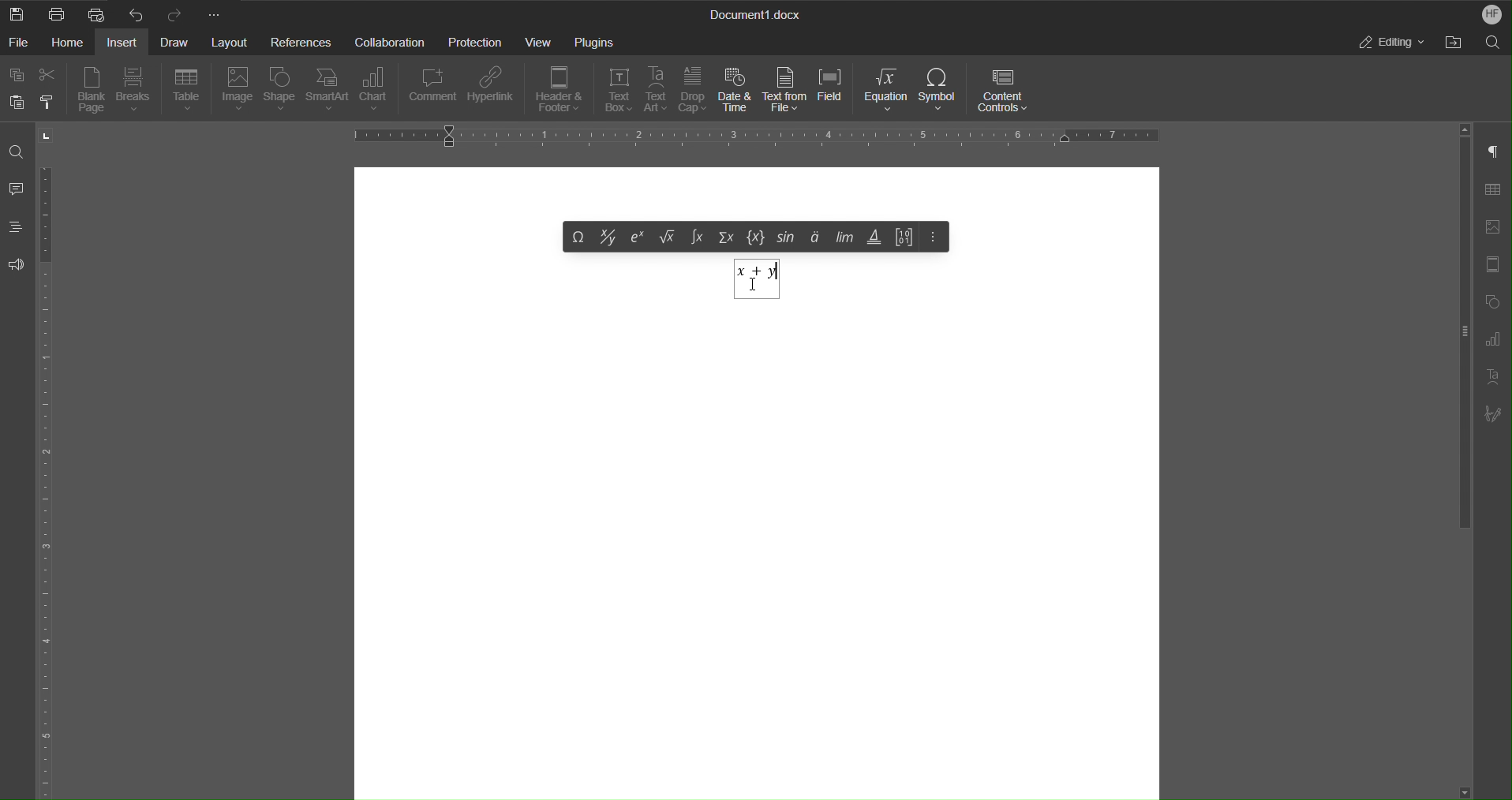 This screenshot has width=1512, height=800. I want to click on Signature, so click(1490, 413).